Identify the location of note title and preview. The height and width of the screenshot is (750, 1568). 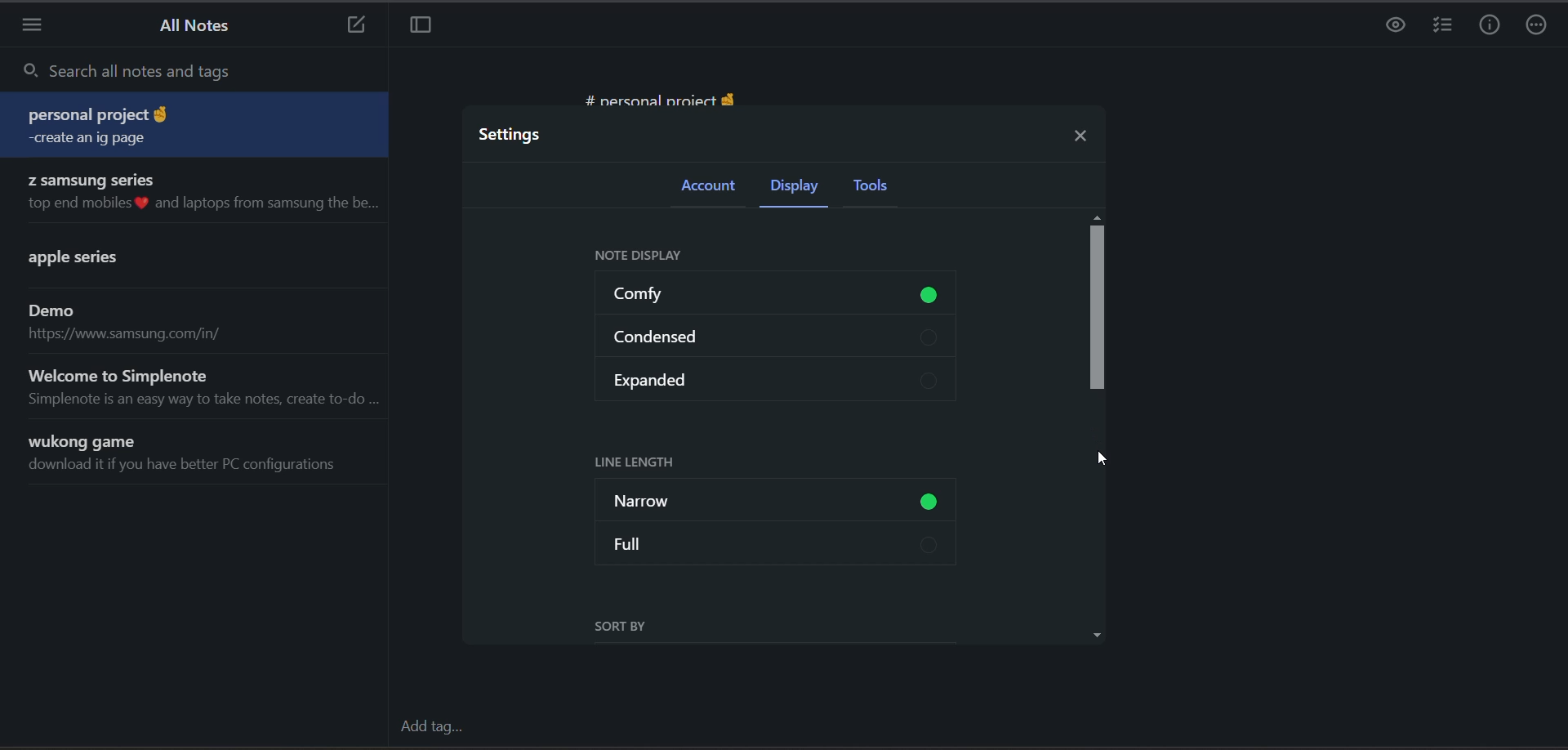
(186, 455).